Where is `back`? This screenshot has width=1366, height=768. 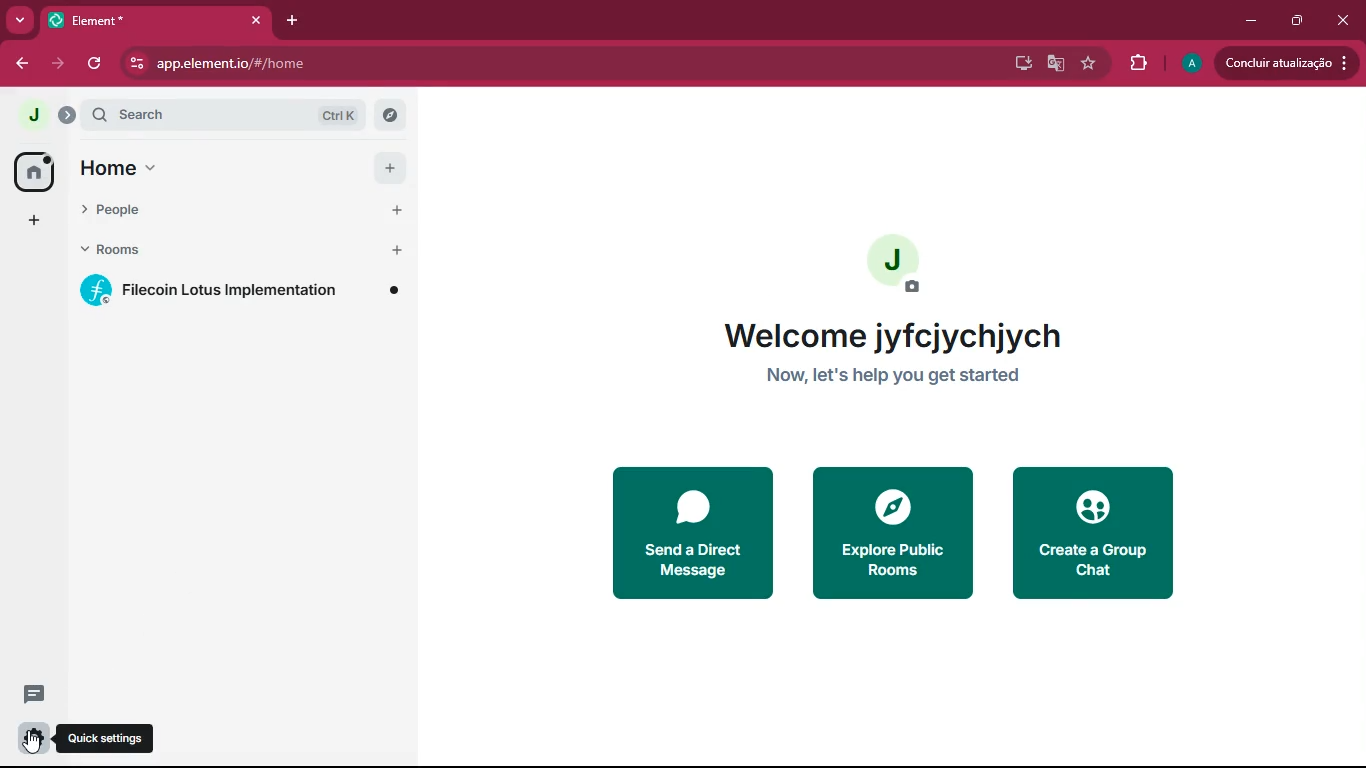 back is located at coordinates (19, 64).